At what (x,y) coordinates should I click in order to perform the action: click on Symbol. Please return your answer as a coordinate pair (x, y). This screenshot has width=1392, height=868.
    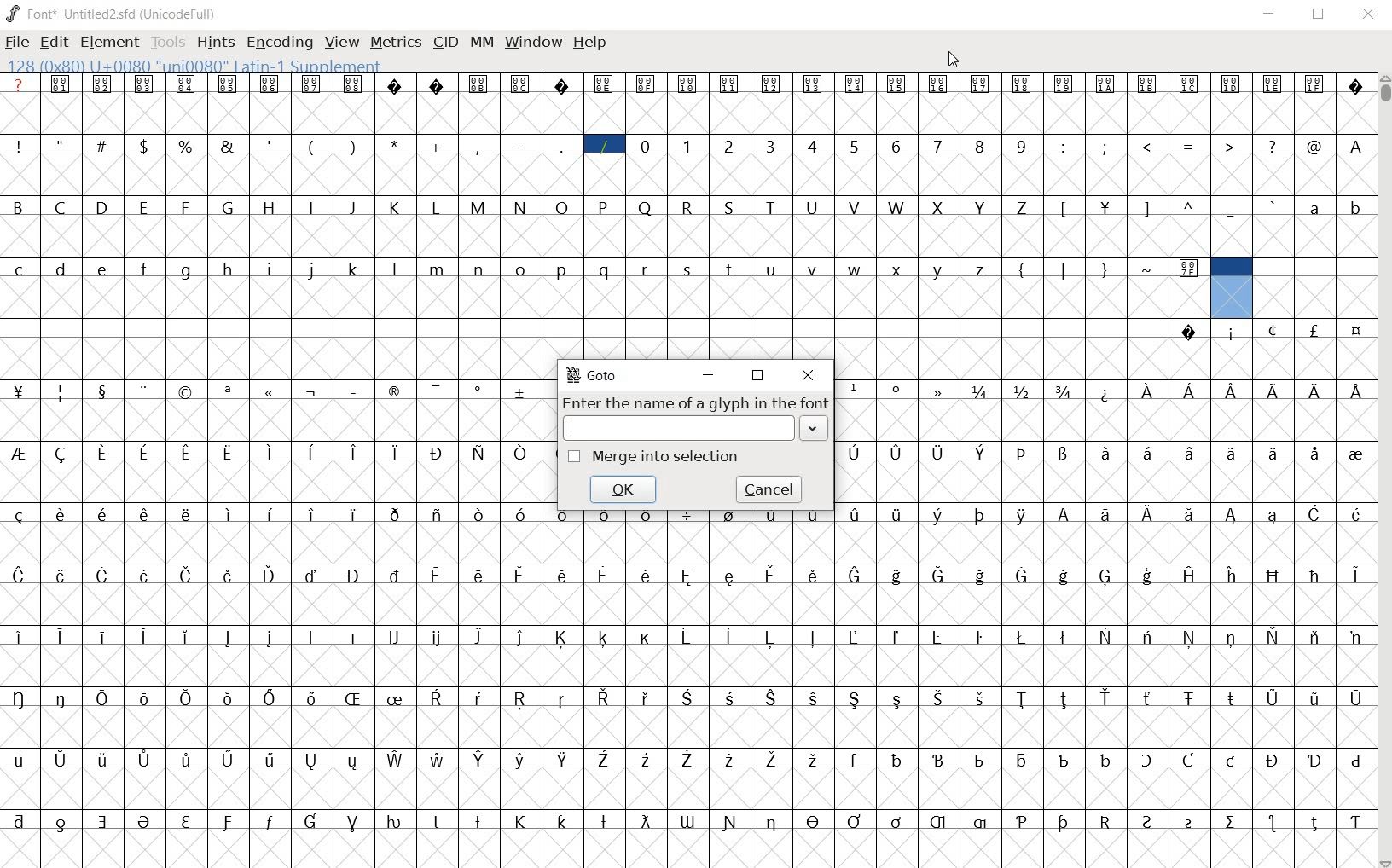
    Looking at the image, I should click on (855, 454).